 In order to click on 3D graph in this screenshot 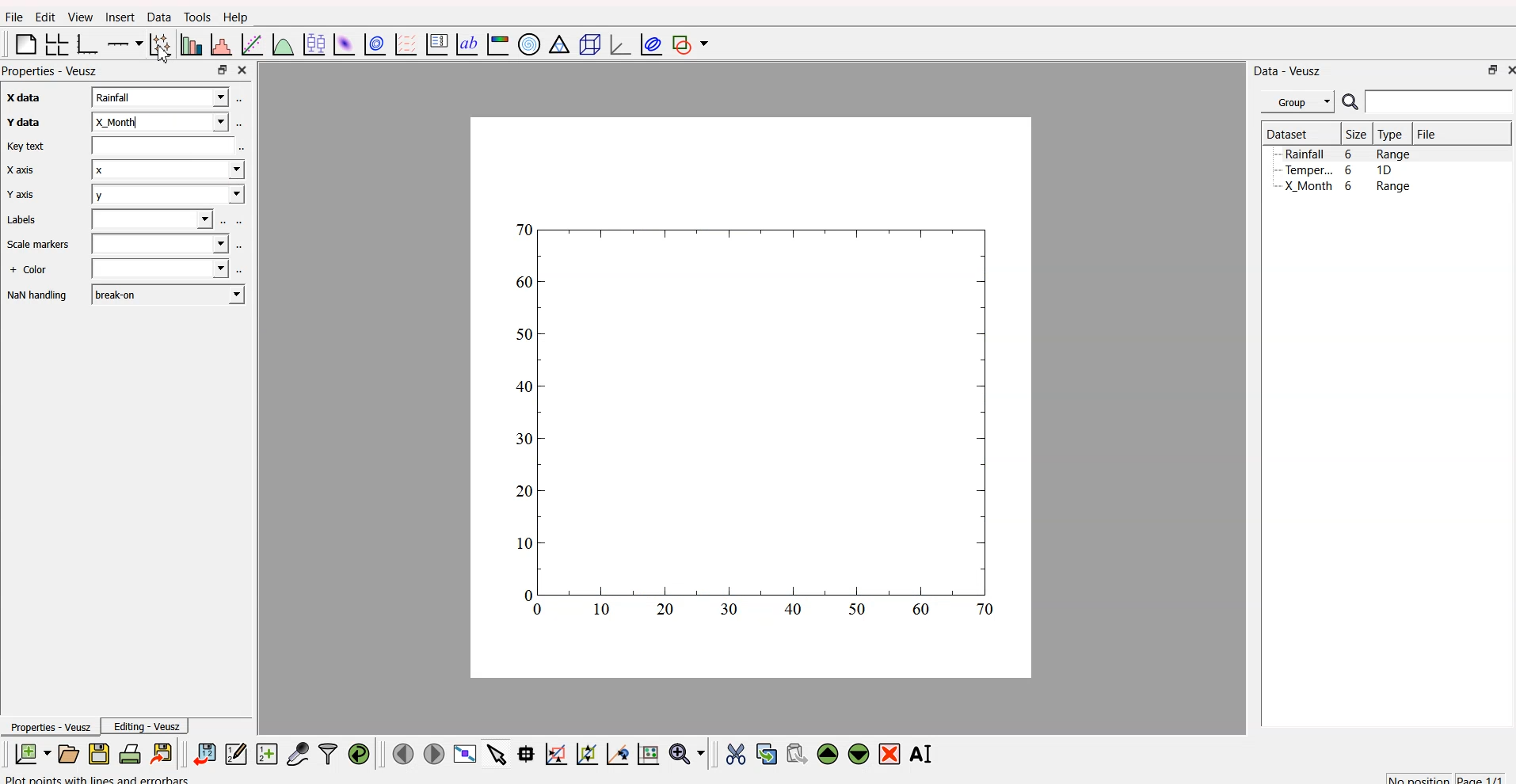, I will do `click(615, 44)`.